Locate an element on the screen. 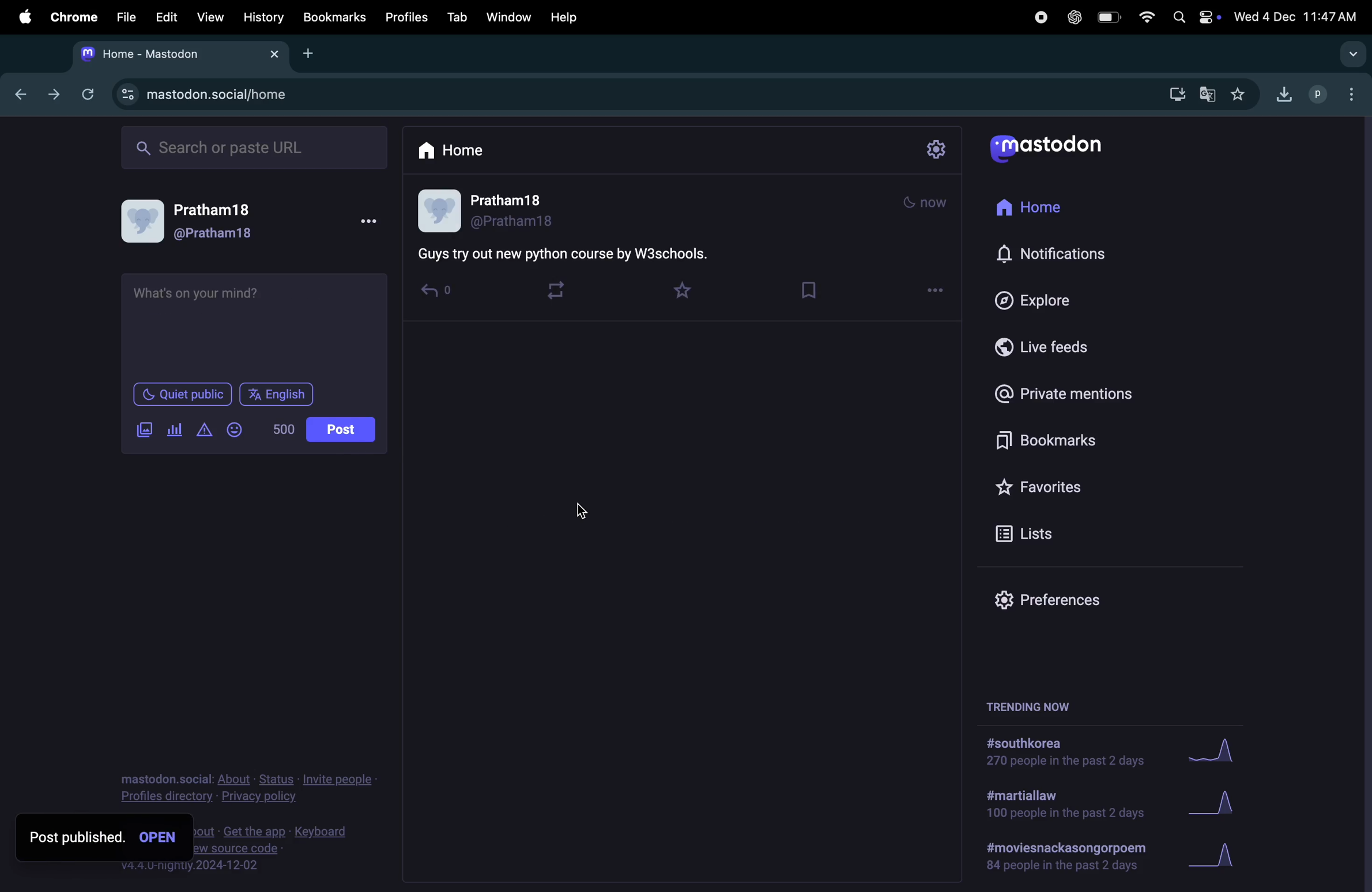 This screenshot has width=1372, height=892. reply is located at coordinates (440, 294).